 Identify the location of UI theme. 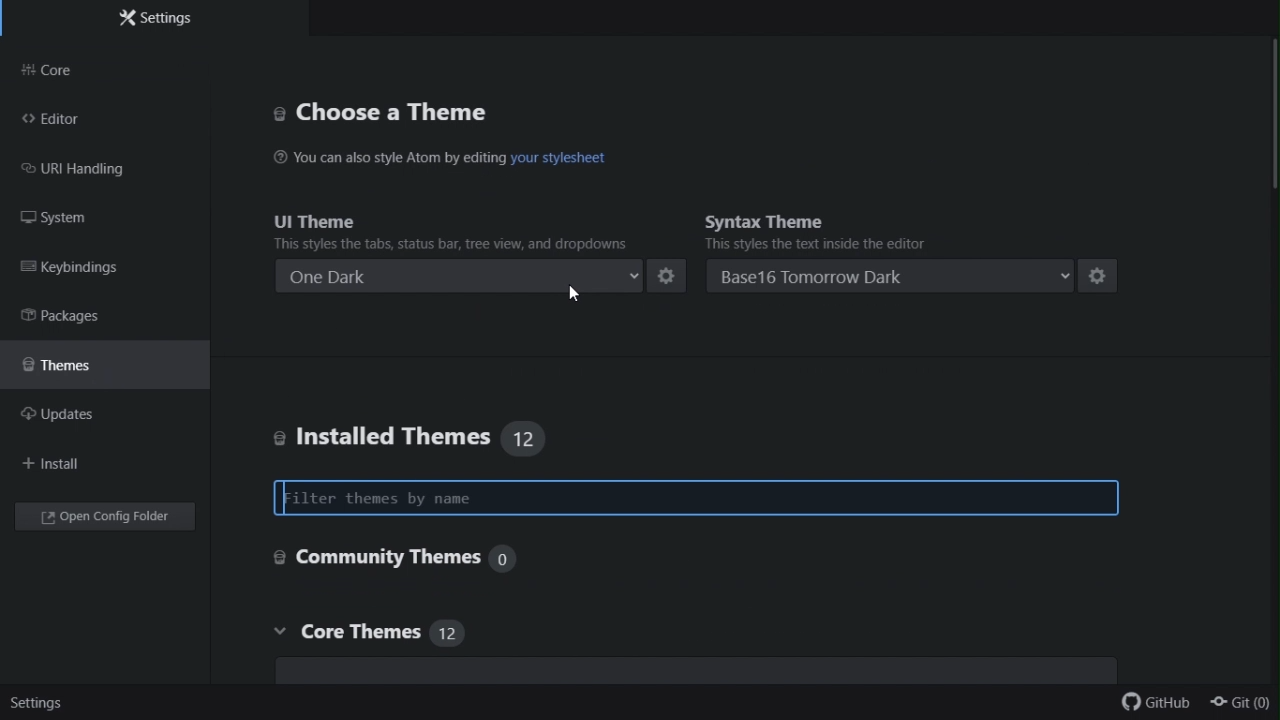
(447, 217).